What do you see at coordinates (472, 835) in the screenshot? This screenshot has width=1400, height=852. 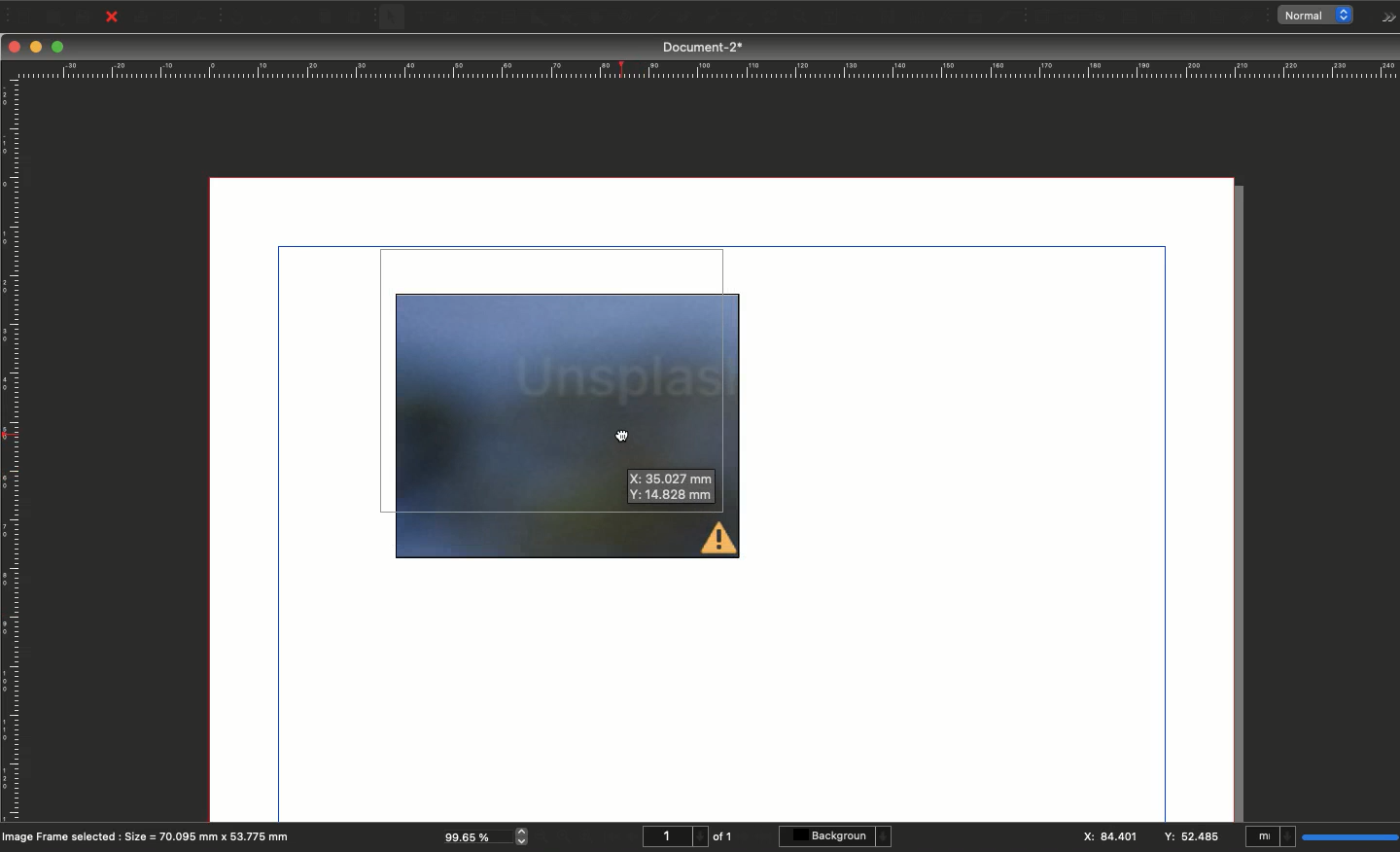 I see `99.65 %` at bounding box center [472, 835].